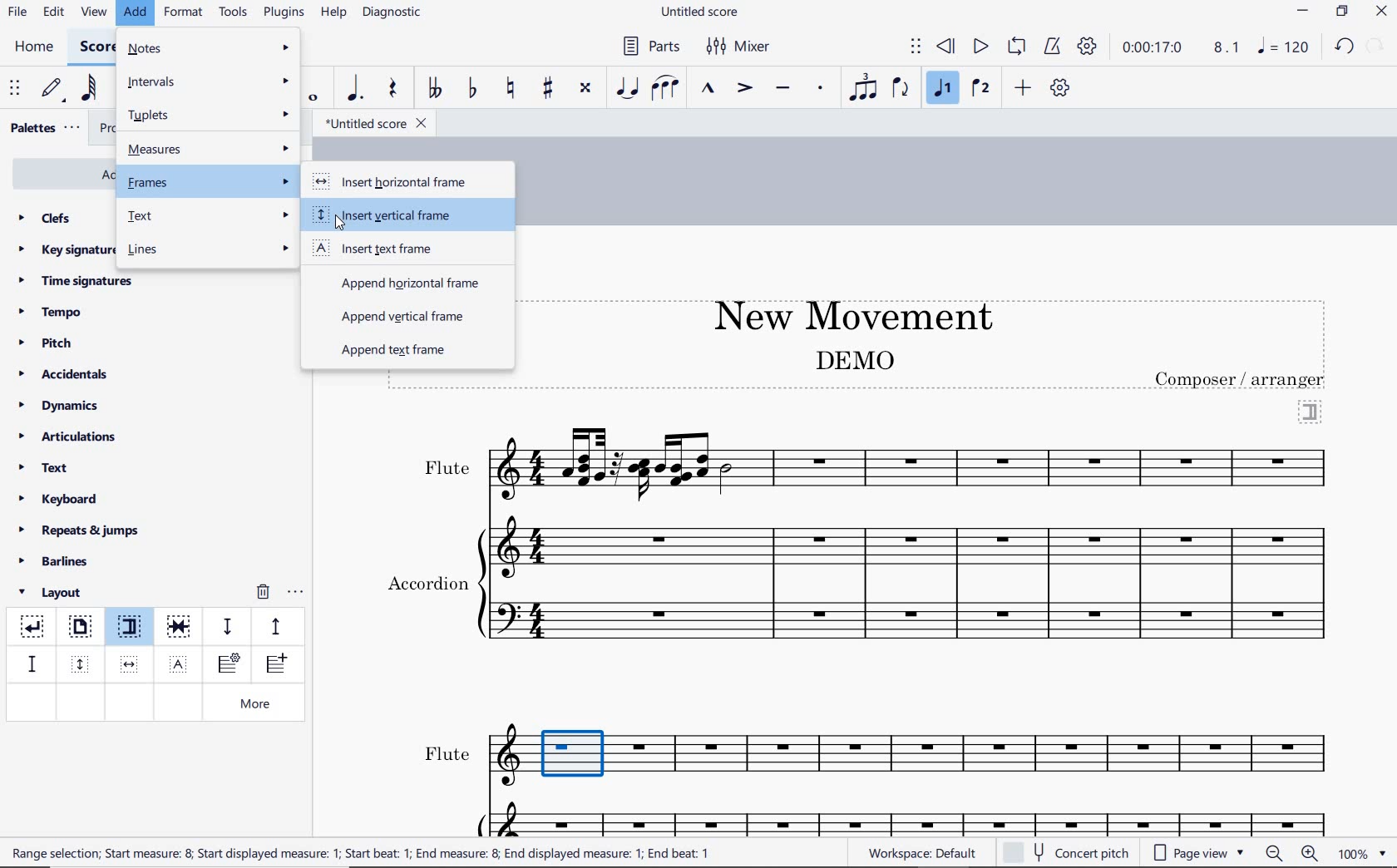  What do you see at coordinates (1377, 45) in the screenshot?
I see `redo` at bounding box center [1377, 45].